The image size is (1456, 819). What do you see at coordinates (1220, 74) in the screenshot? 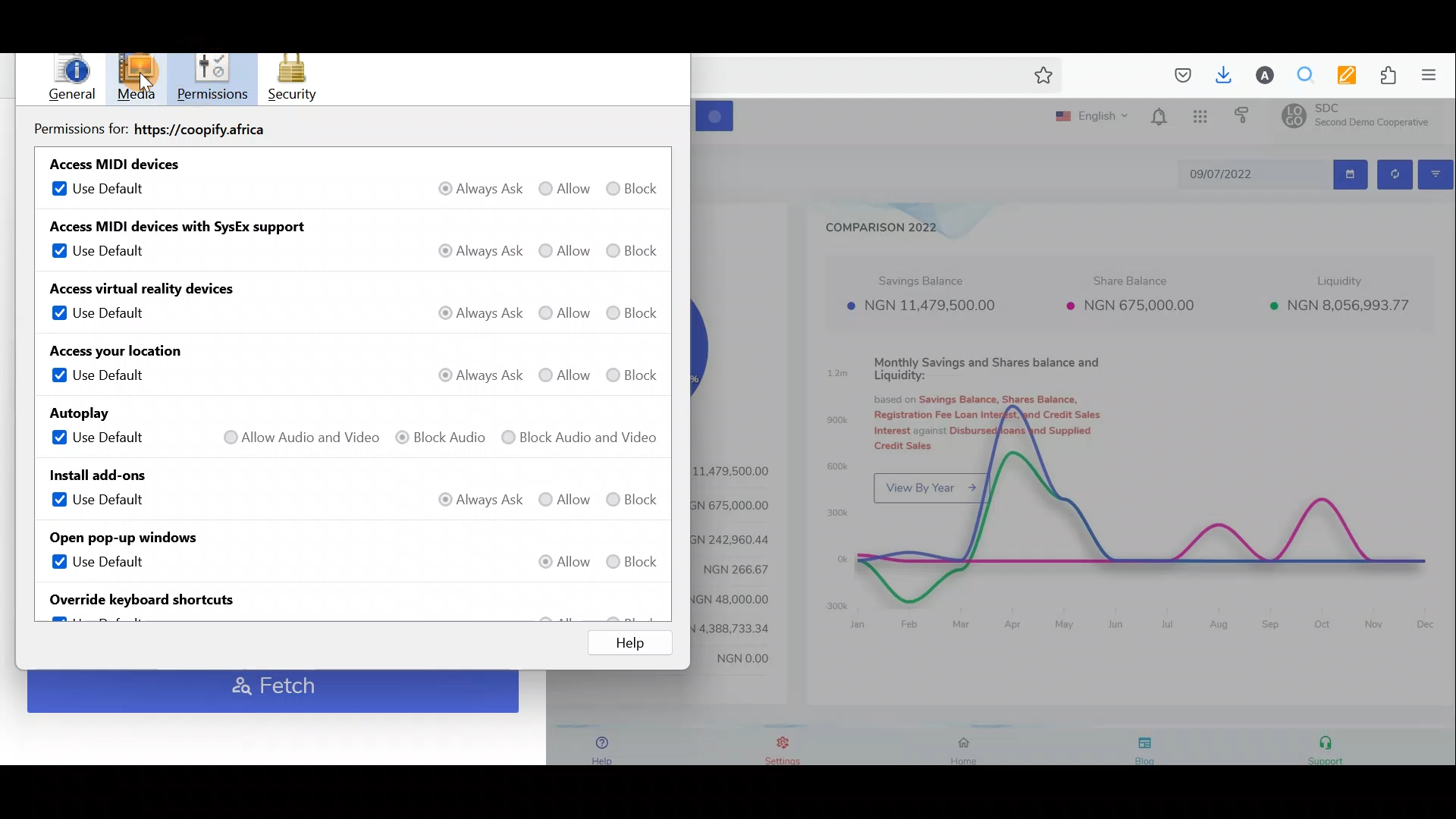
I see `Downloads` at bounding box center [1220, 74].